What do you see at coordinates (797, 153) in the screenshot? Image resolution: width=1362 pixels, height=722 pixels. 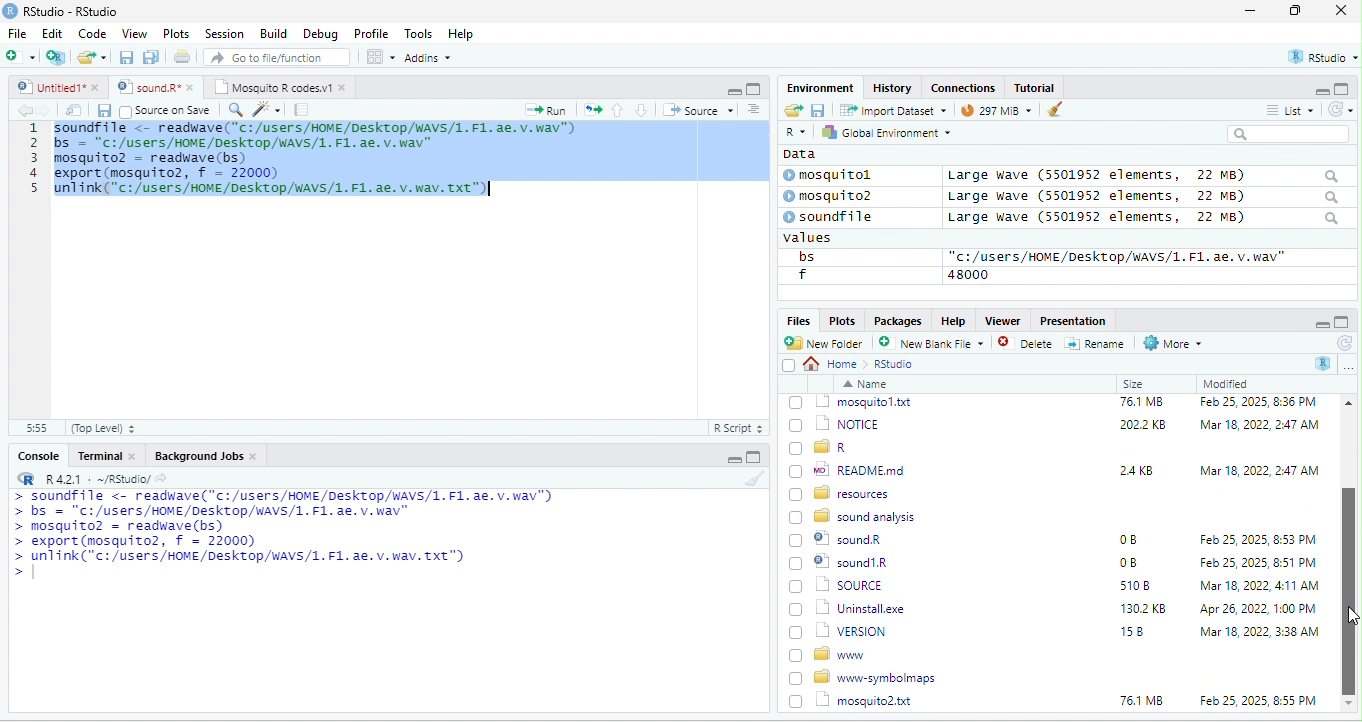 I see `data` at bounding box center [797, 153].